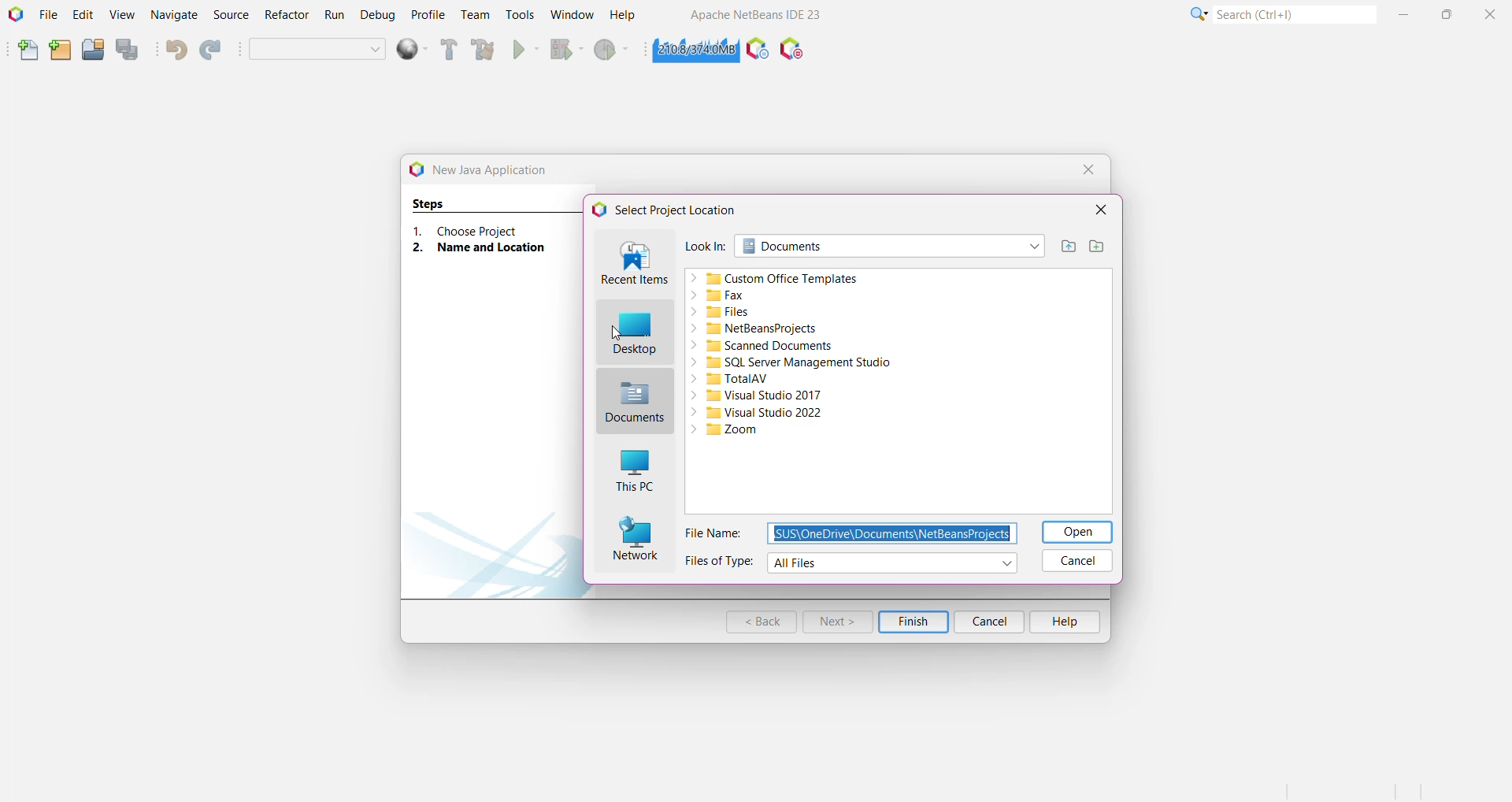  Describe the element at coordinates (520, 16) in the screenshot. I see `Tools` at that location.